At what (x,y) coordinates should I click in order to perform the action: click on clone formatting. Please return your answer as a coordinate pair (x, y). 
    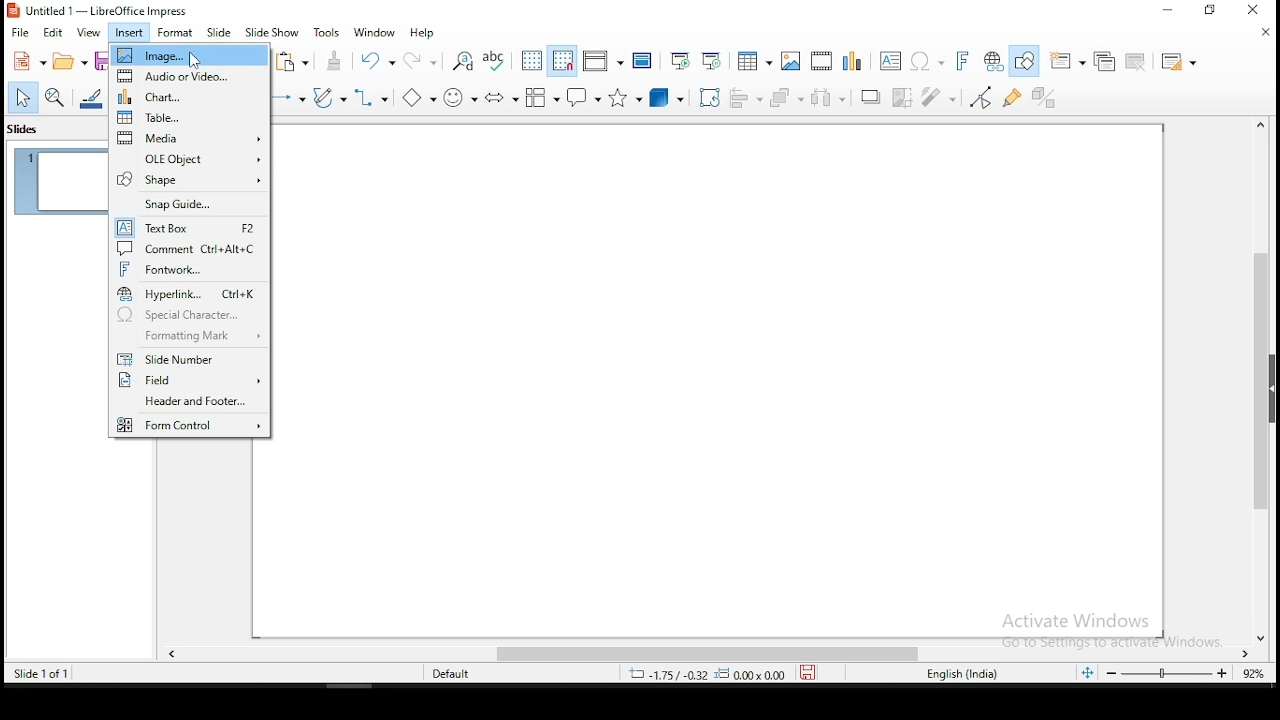
    Looking at the image, I should click on (335, 60).